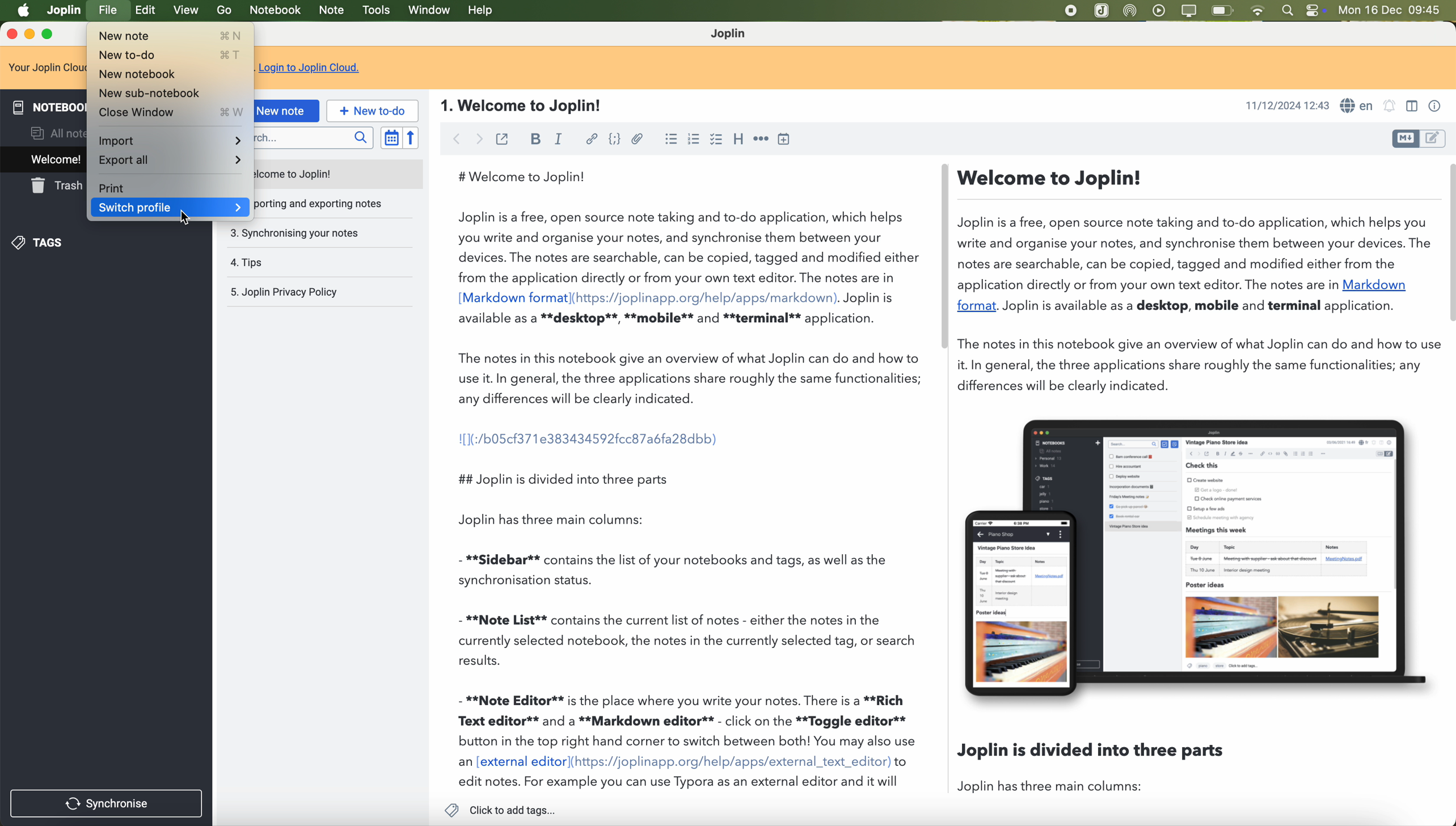 This screenshot has height=826, width=1456. I want to click on italic, so click(560, 138).